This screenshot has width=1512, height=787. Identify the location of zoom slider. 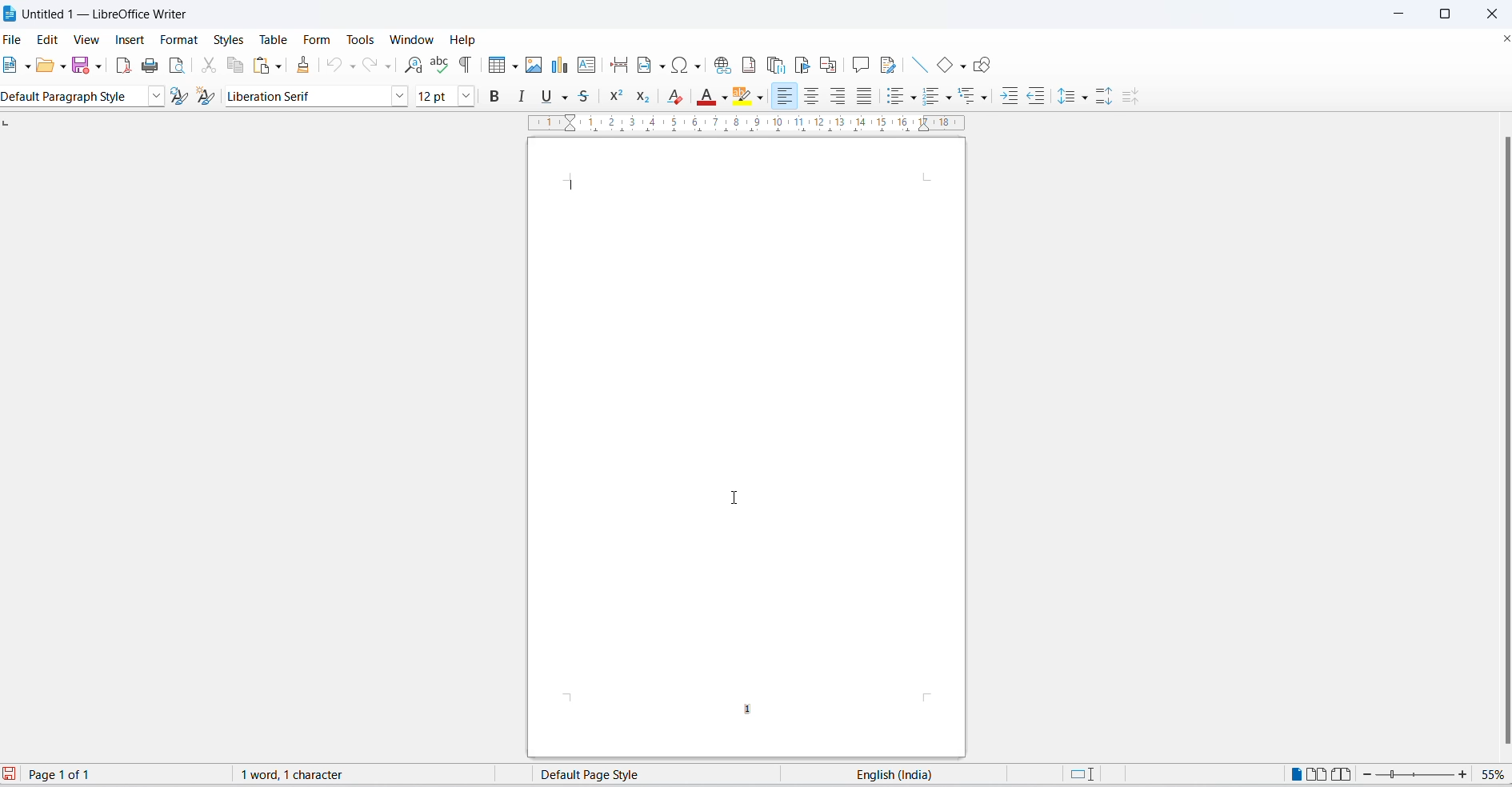
(1417, 776).